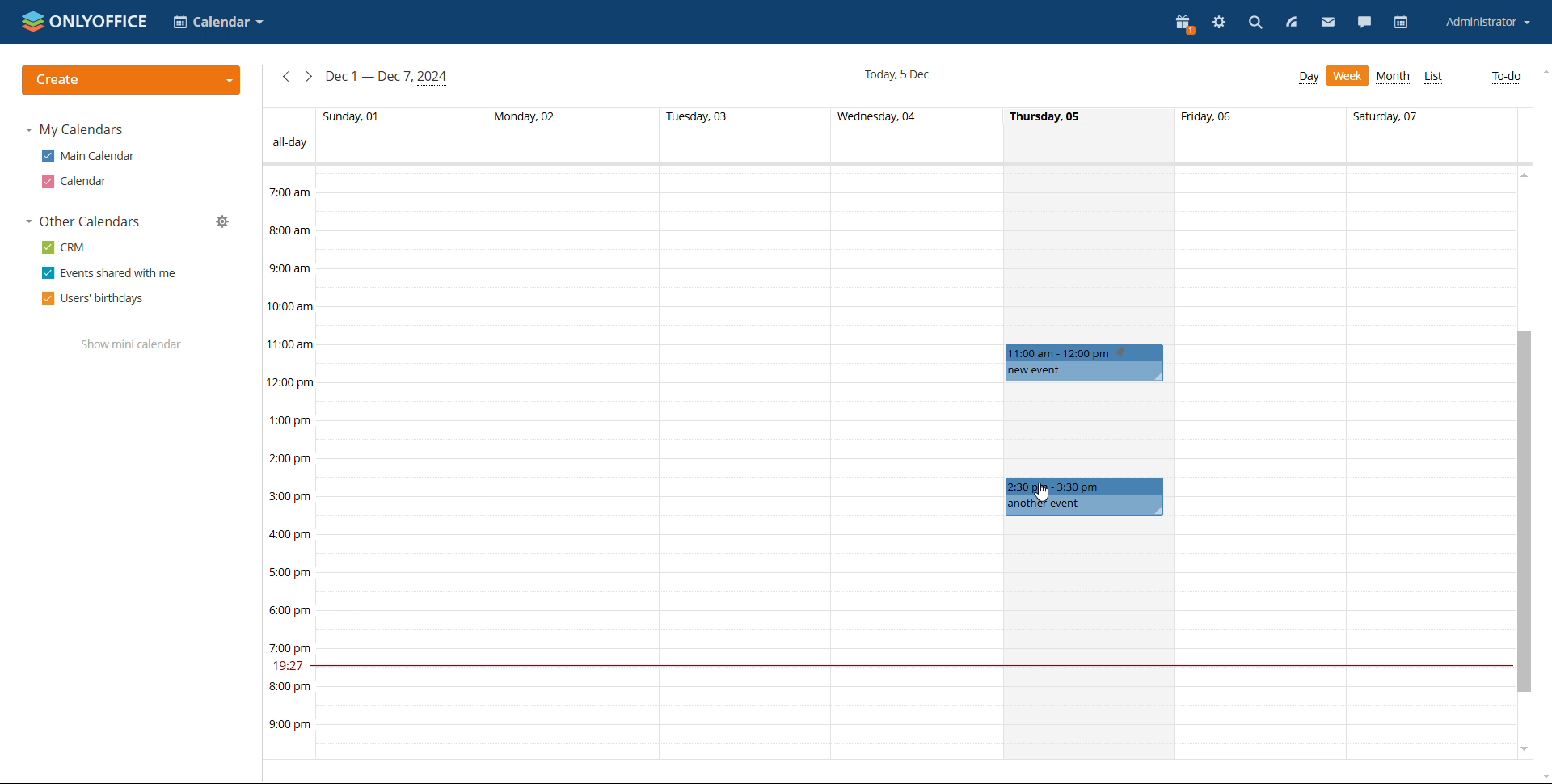  What do you see at coordinates (289, 421) in the screenshot?
I see `1:00 pm` at bounding box center [289, 421].